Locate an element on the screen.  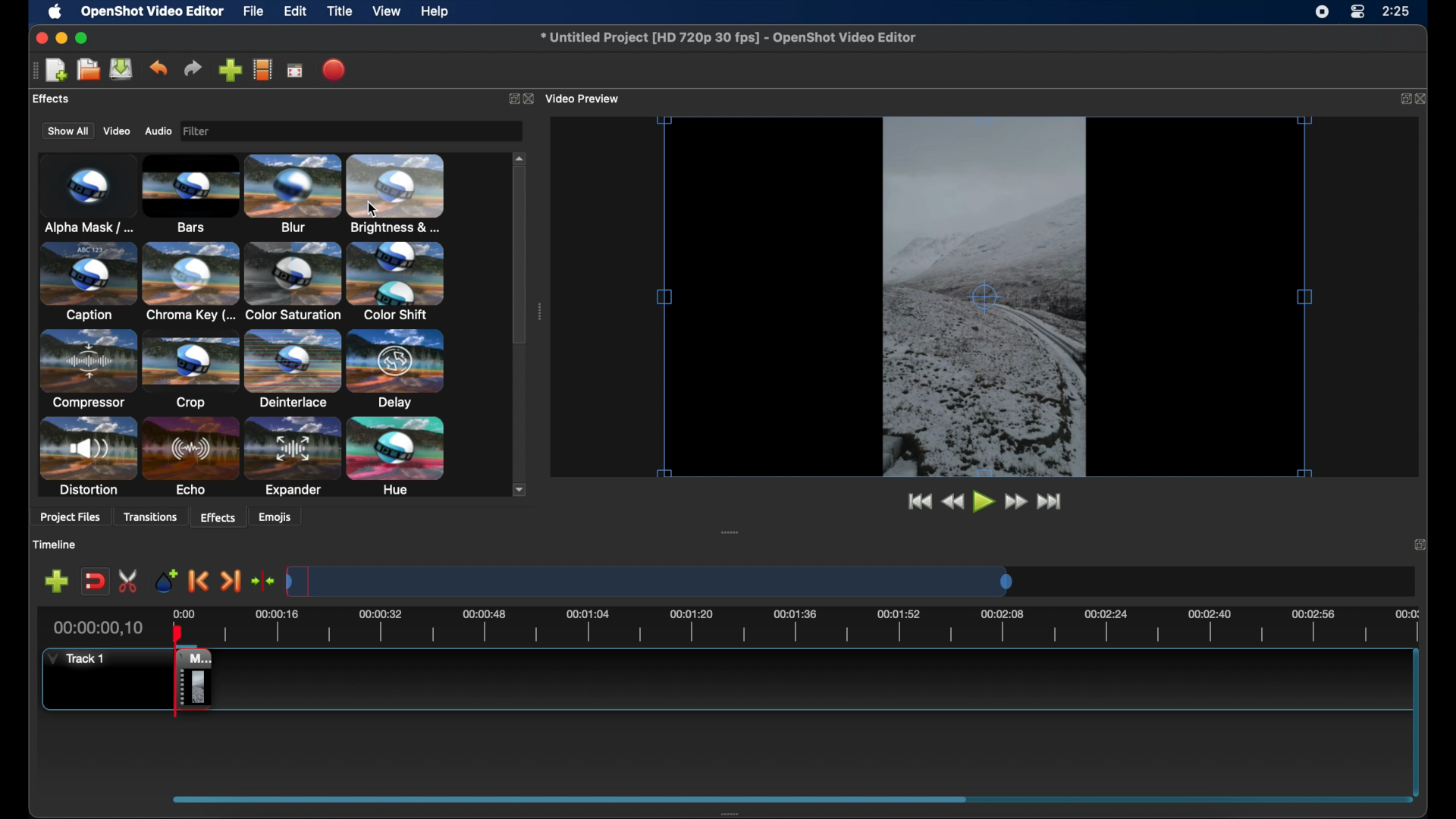
next marker is located at coordinates (231, 581).